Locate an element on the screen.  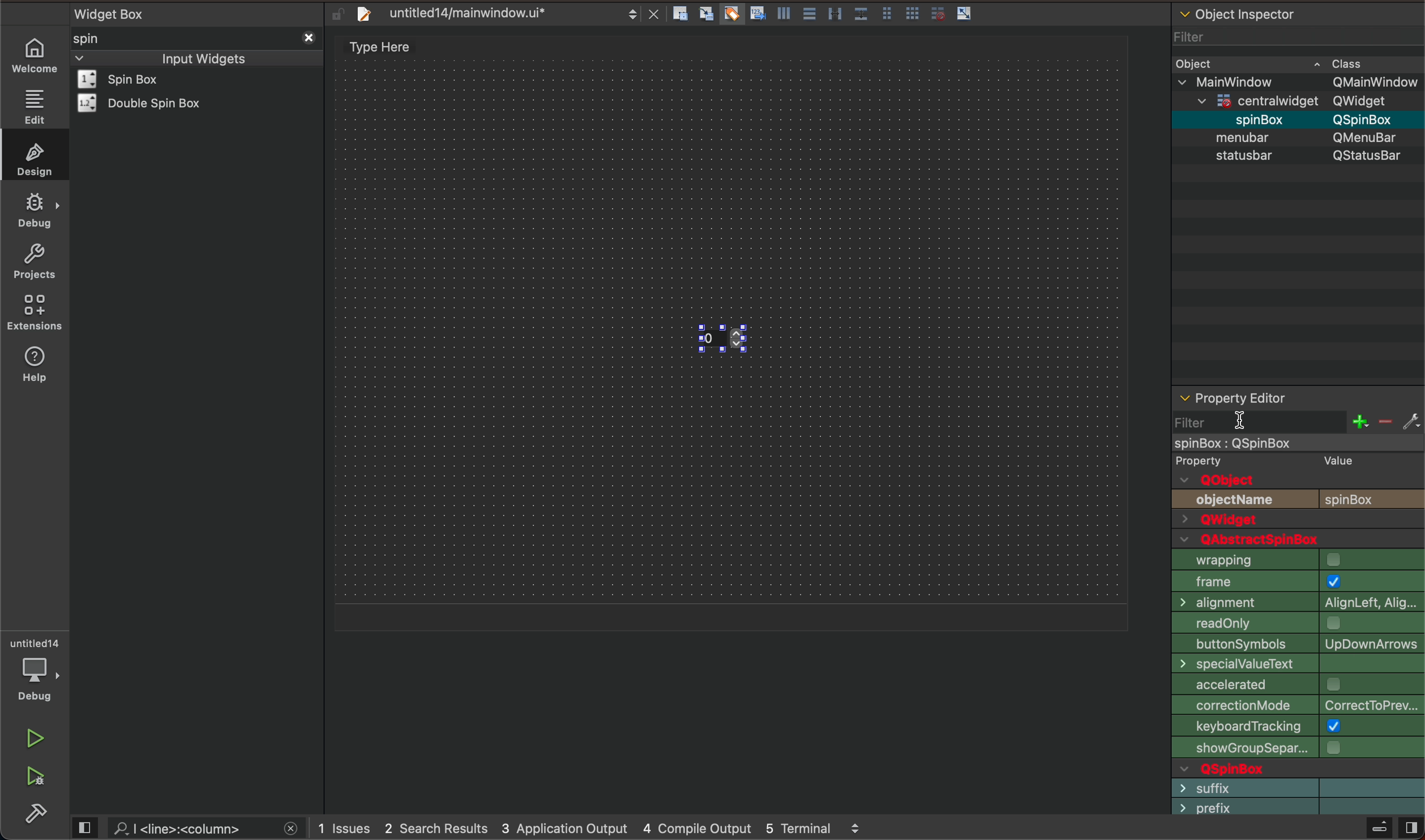
run is located at coordinates (33, 739).